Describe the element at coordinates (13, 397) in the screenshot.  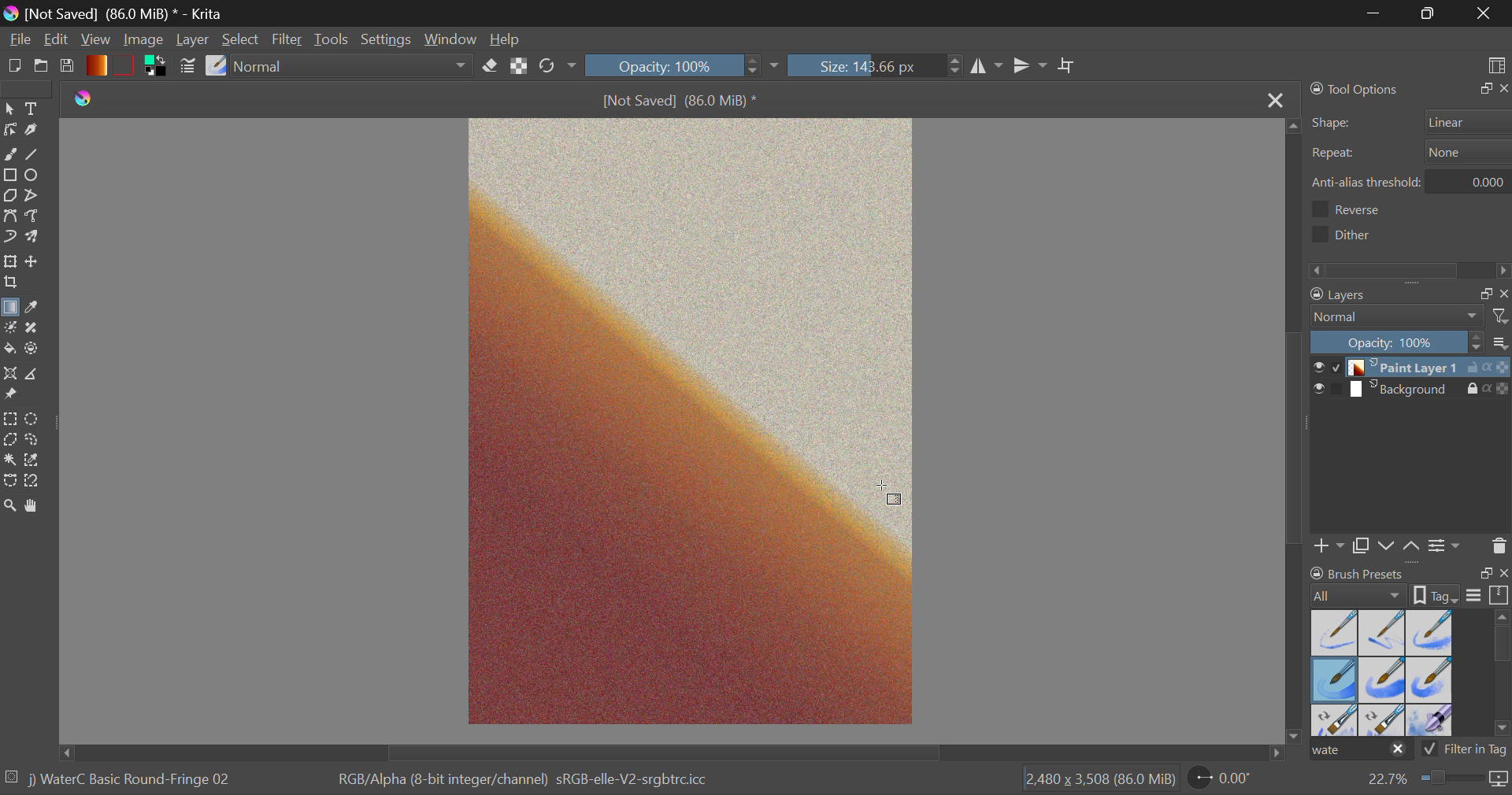
I see `Reference Images` at that location.